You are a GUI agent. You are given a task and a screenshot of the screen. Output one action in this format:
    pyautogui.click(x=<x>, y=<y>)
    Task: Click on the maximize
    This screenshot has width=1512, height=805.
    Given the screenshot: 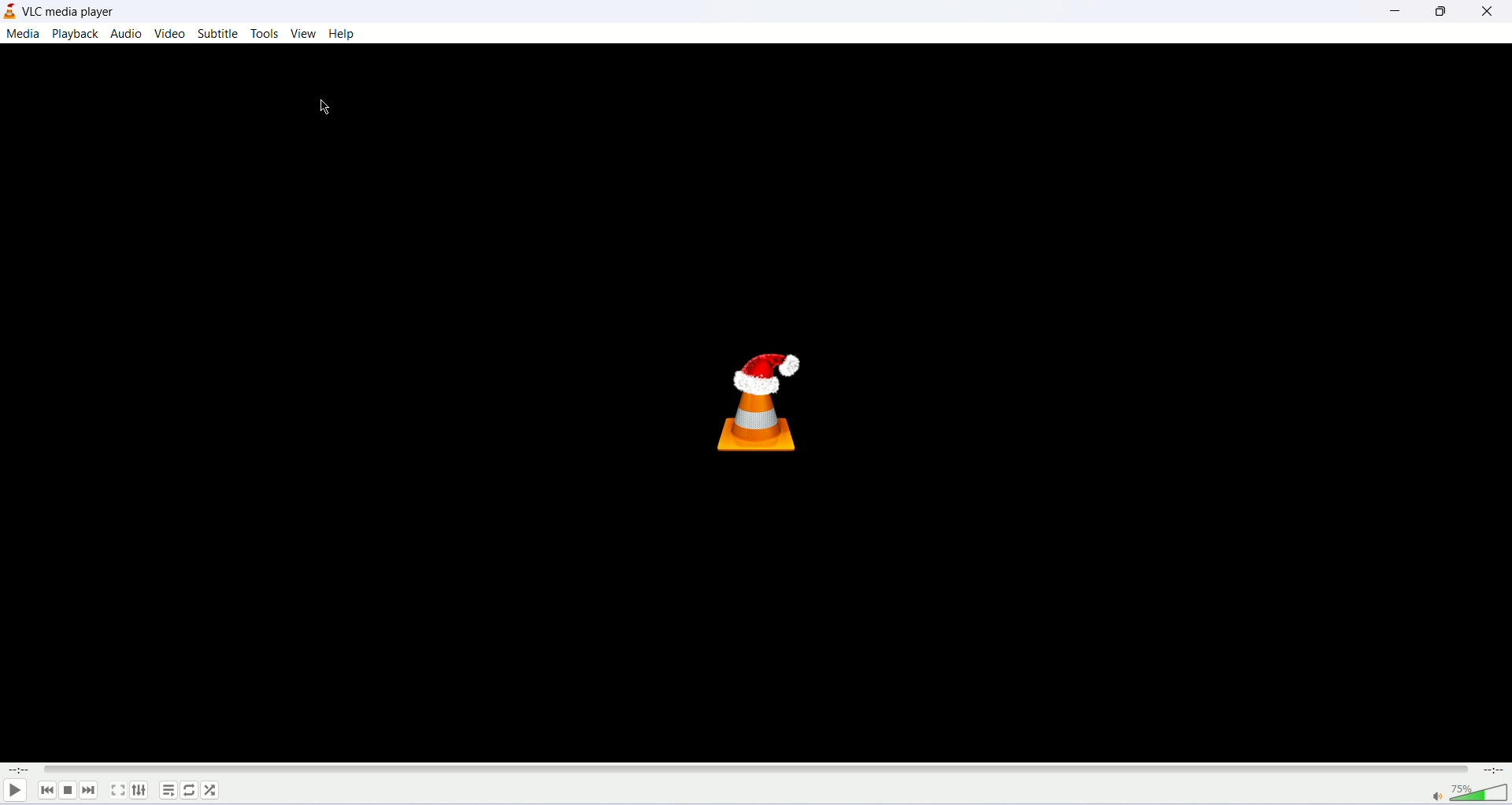 What is the action you would take?
    pyautogui.click(x=1438, y=12)
    